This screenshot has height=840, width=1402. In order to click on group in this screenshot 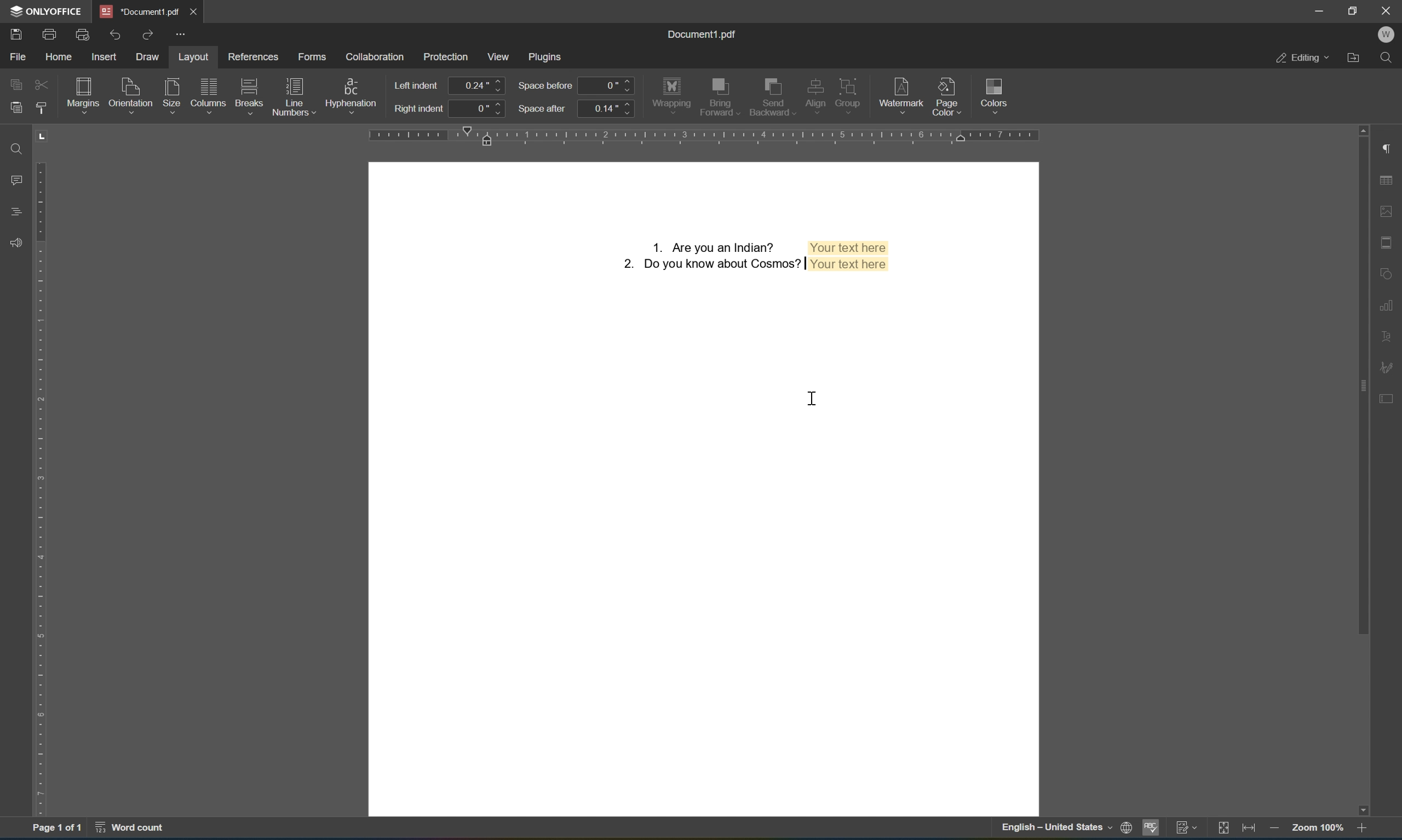, I will do `click(853, 92)`.